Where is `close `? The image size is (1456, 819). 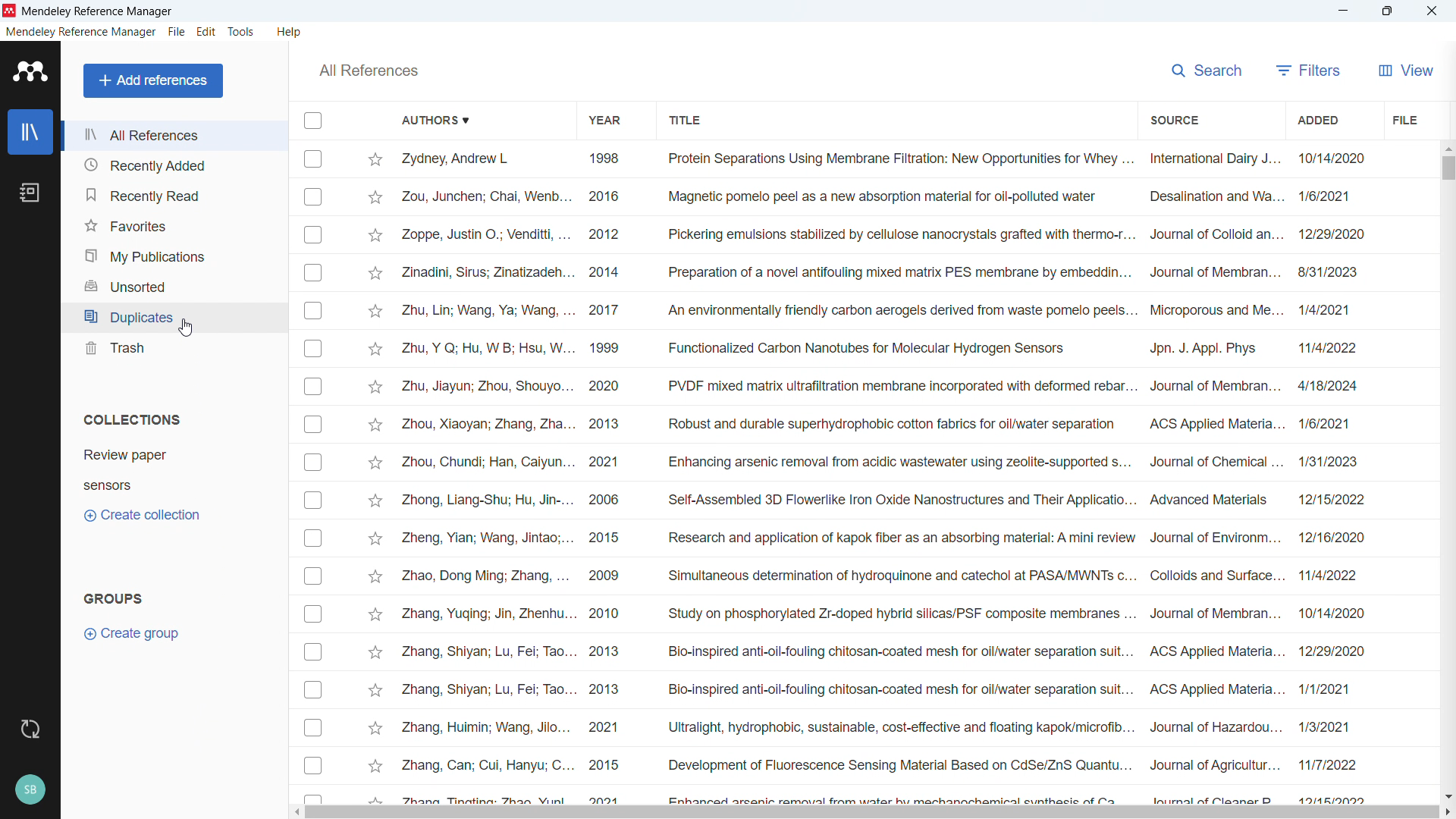
close  is located at coordinates (1431, 11).